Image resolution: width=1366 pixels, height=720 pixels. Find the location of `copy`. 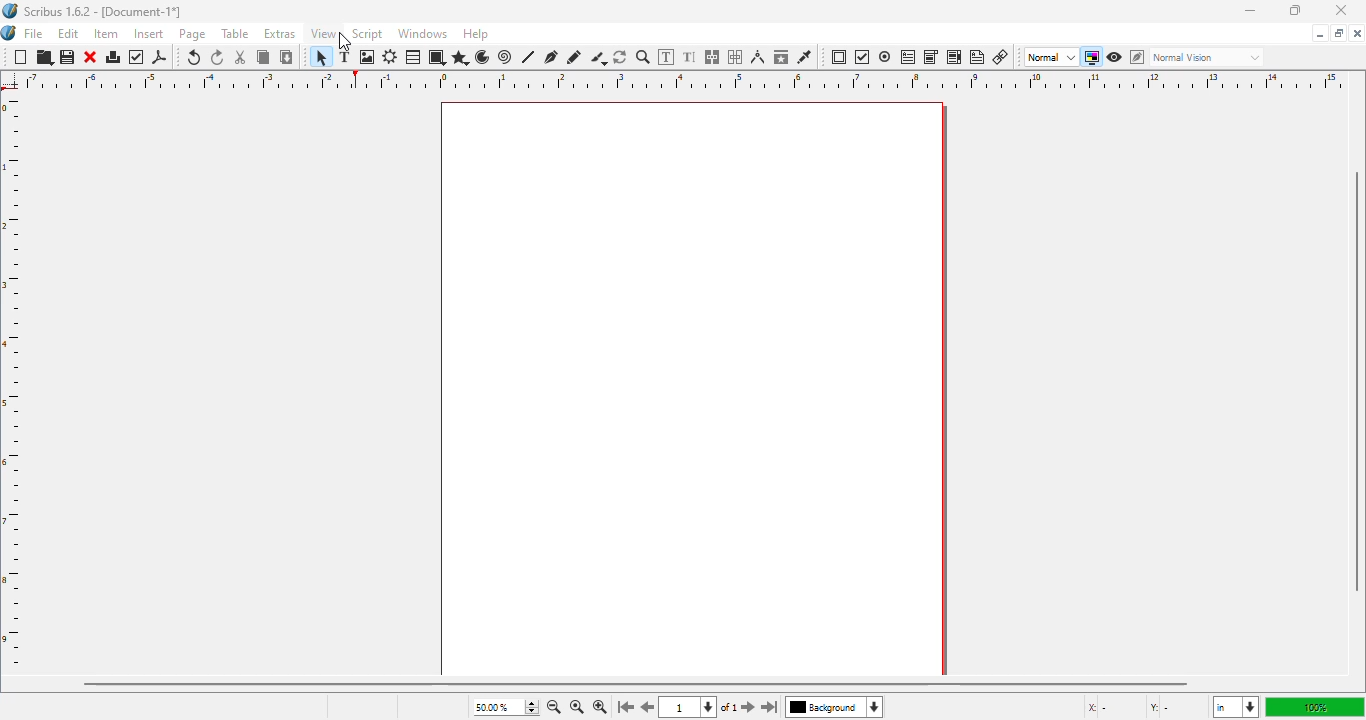

copy is located at coordinates (263, 57).